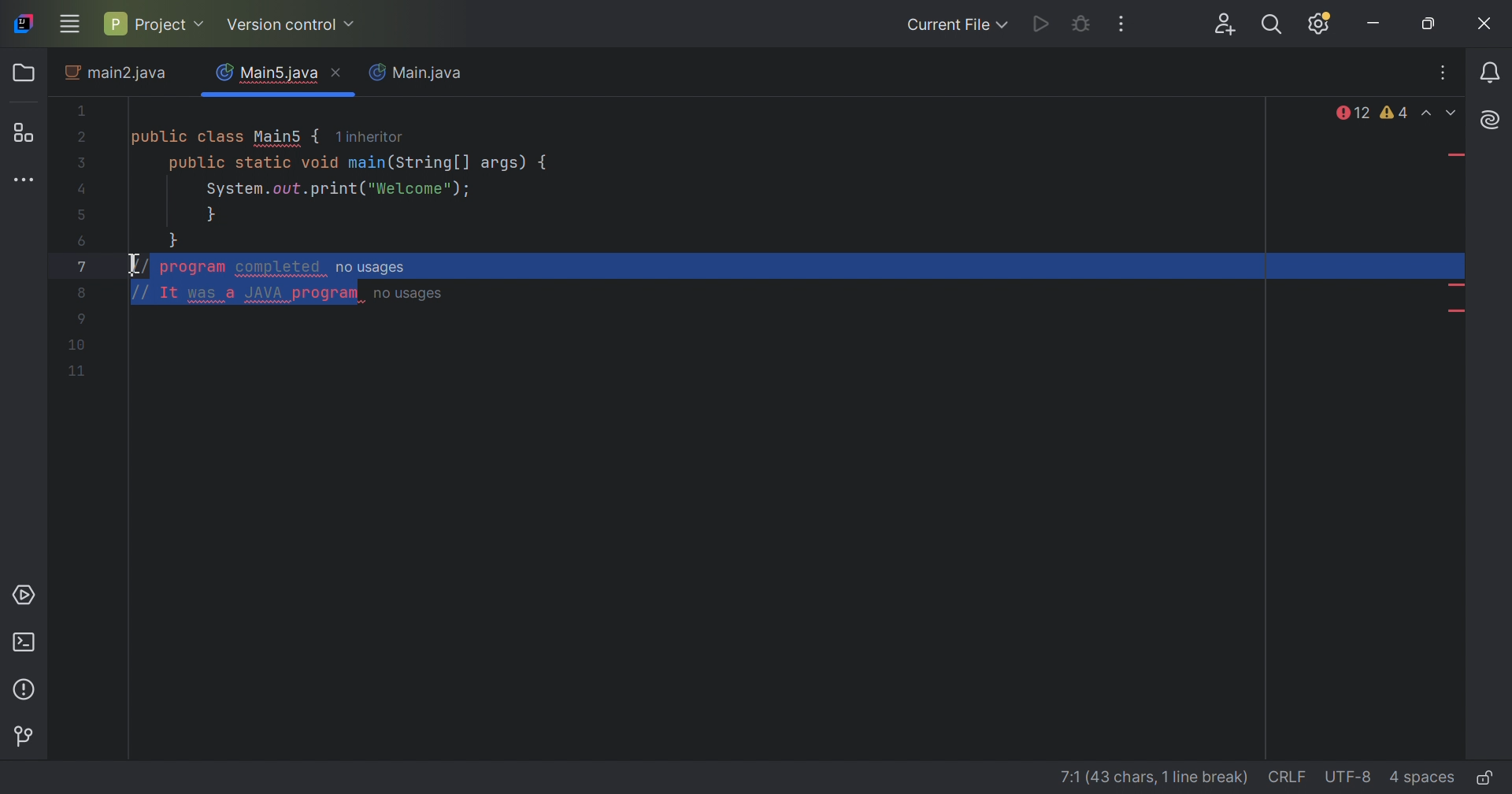 The width and height of the screenshot is (1512, 794). Describe the element at coordinates (340, 74) in the screenshot. I see `Close` at that location.